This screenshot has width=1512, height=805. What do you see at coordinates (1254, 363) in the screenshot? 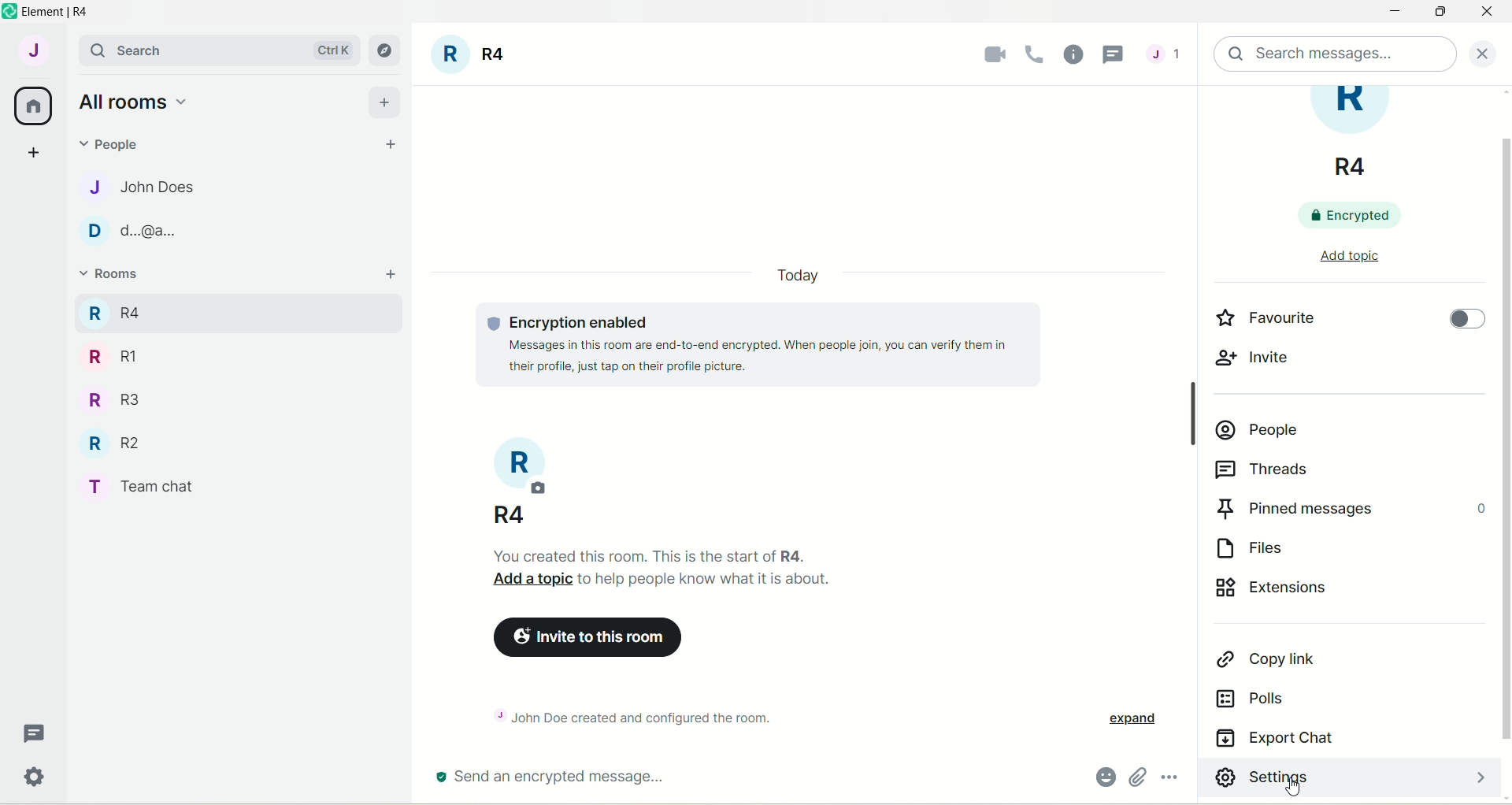
I see `invite` at bounding box center [1254, 363].